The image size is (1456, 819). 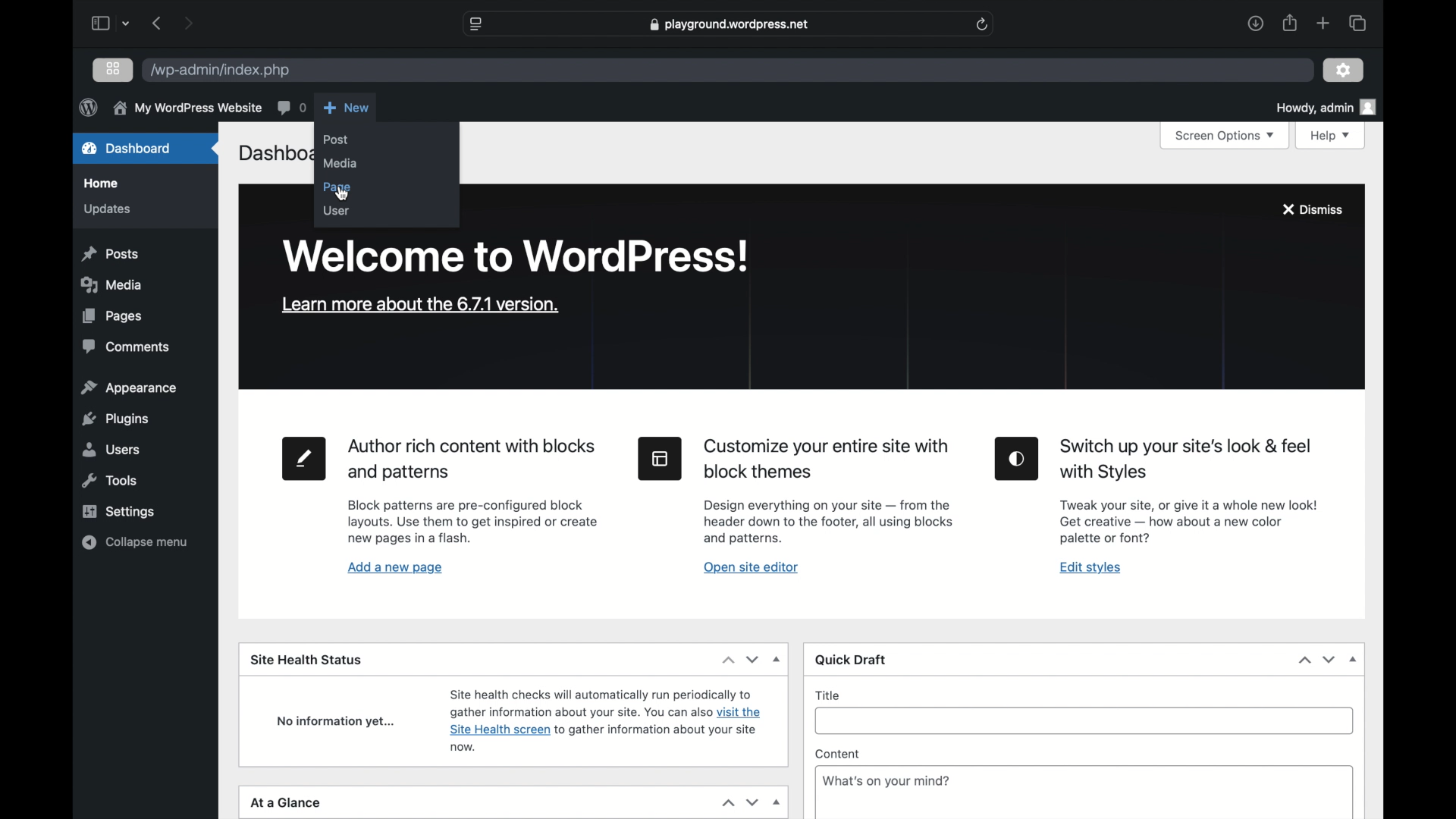 I want to click on users, so click(x=111, y=450).